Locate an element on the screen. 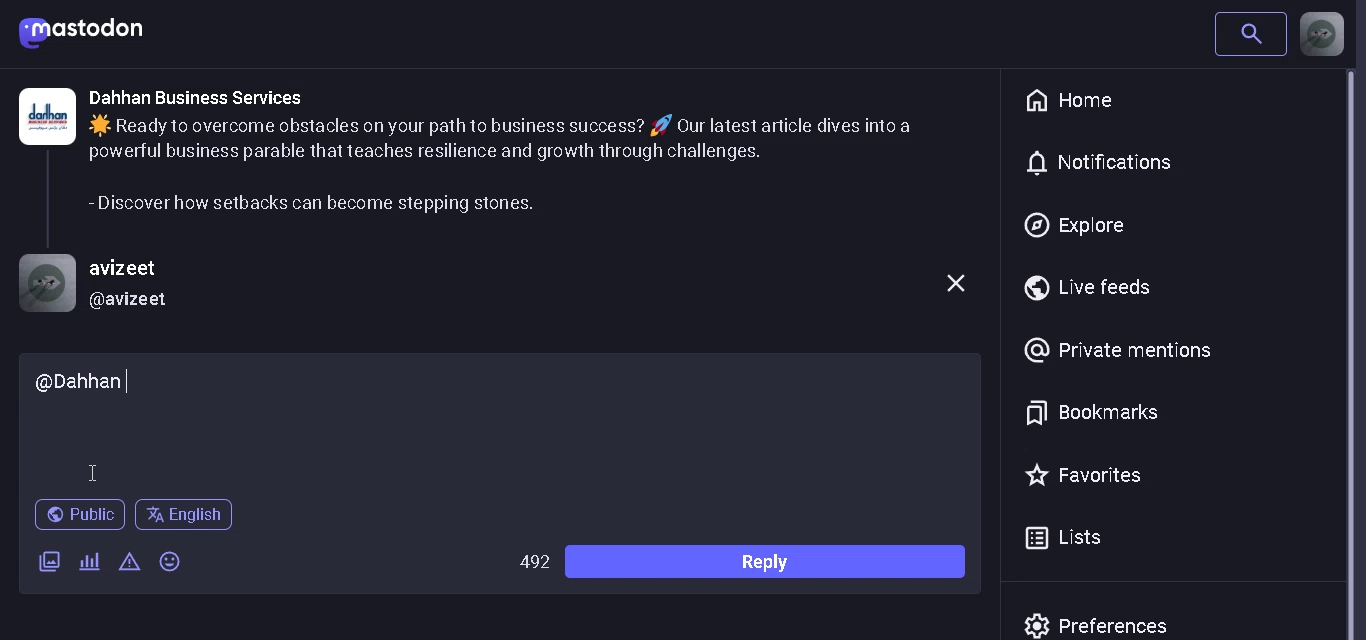 The height and width of the screenshot is (640, 1366). prefrences is located at coordinates (1104, 622).